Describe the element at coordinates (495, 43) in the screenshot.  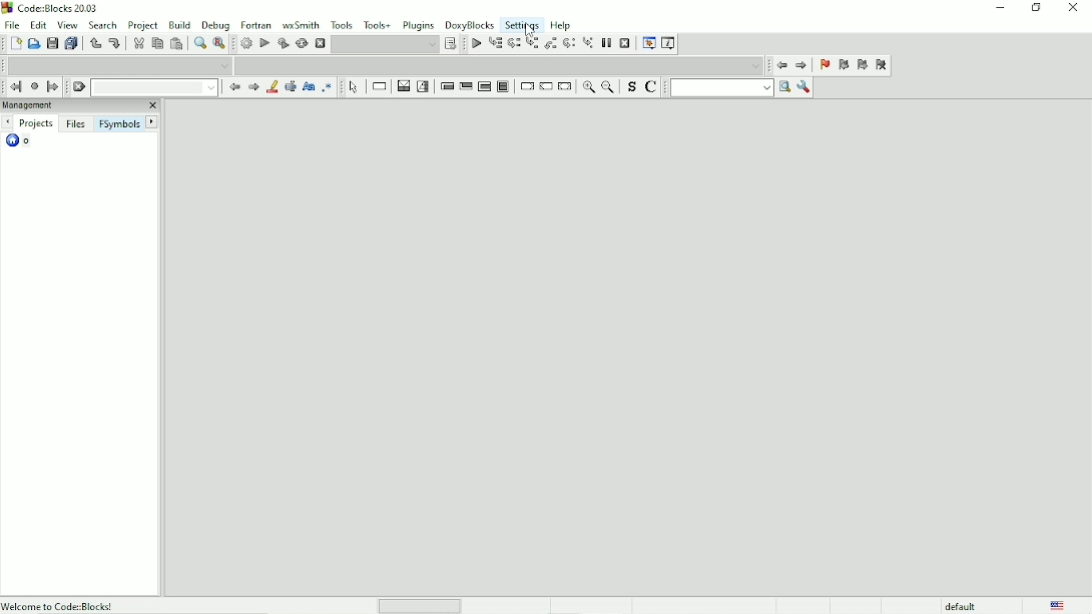
I see `Run to cursor` at that location.